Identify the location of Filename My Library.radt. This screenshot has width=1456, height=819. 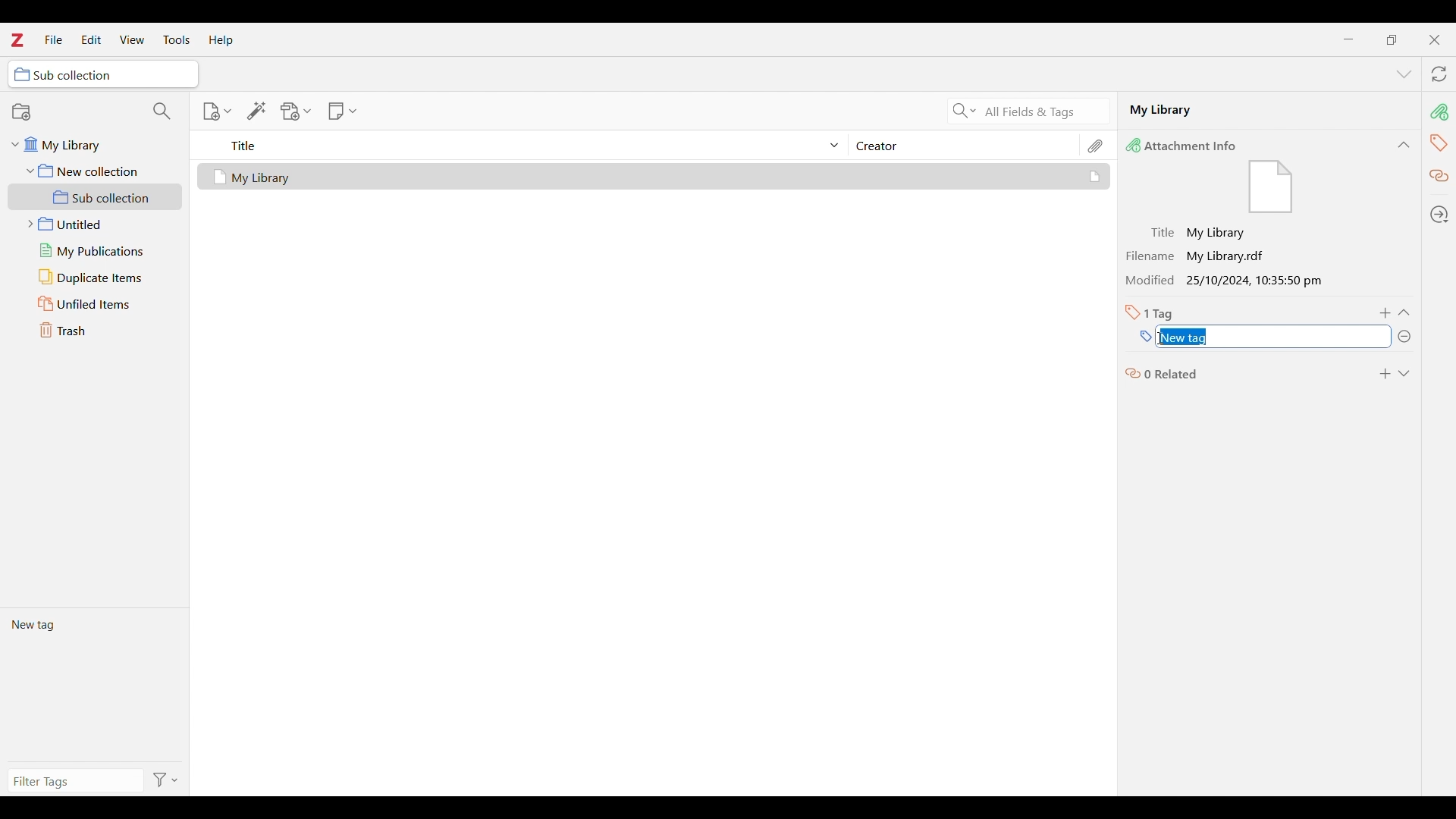
(1200, 256).